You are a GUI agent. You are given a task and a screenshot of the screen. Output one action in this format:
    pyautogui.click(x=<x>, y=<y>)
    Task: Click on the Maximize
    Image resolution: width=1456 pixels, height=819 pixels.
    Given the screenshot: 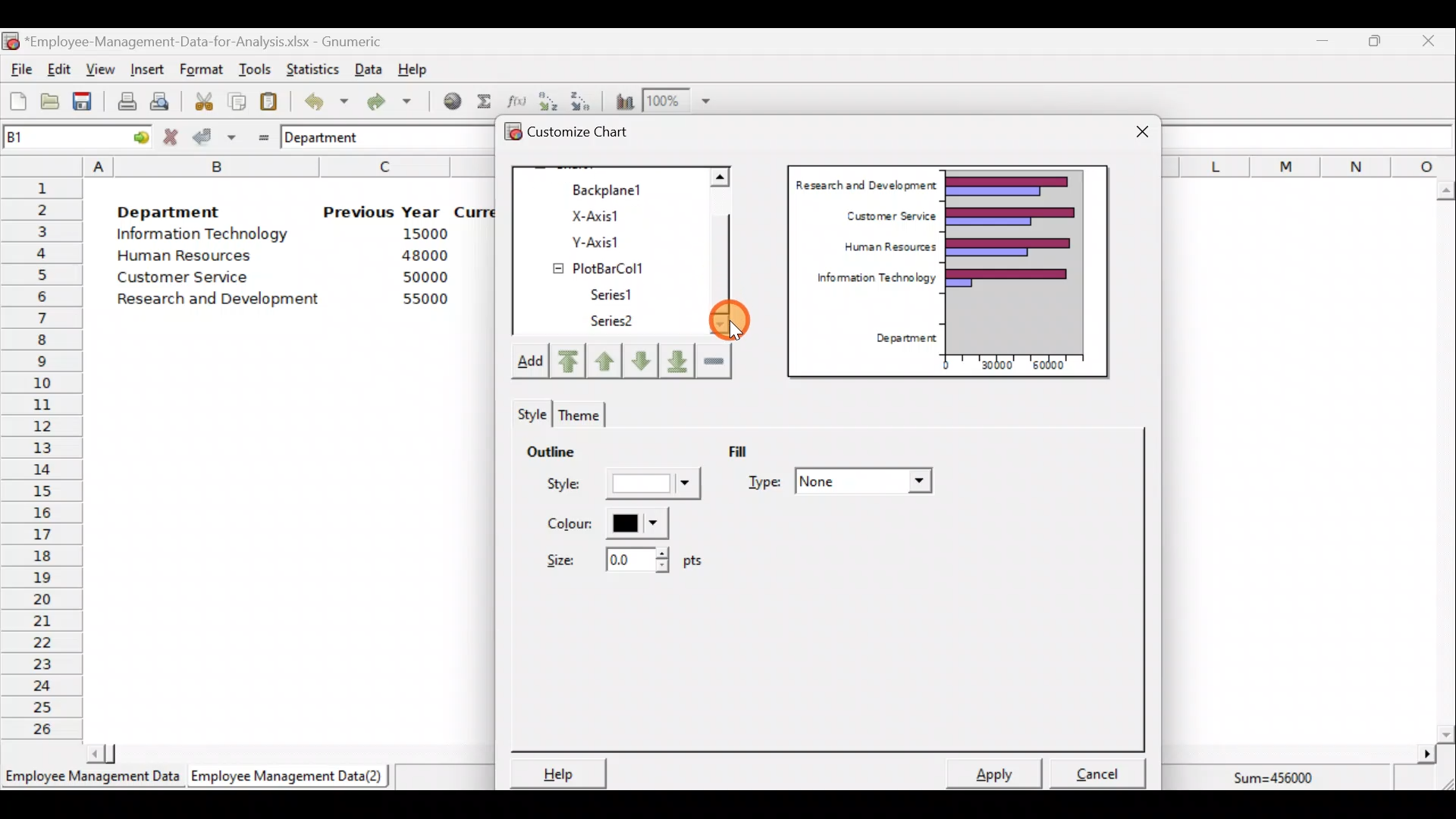 What is the action you would take?
    pyautogui.click(x=1375, y=40)
    